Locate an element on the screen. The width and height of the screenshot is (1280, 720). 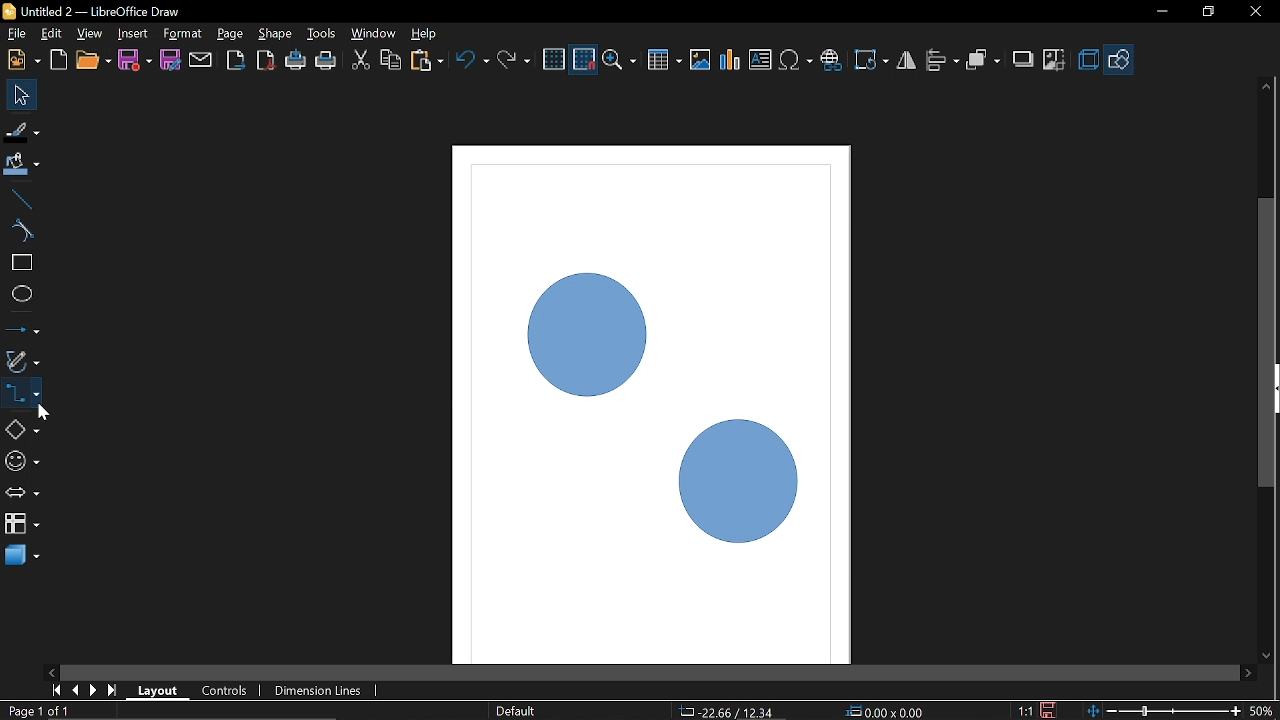
Control is located at coordinates (230, 691).